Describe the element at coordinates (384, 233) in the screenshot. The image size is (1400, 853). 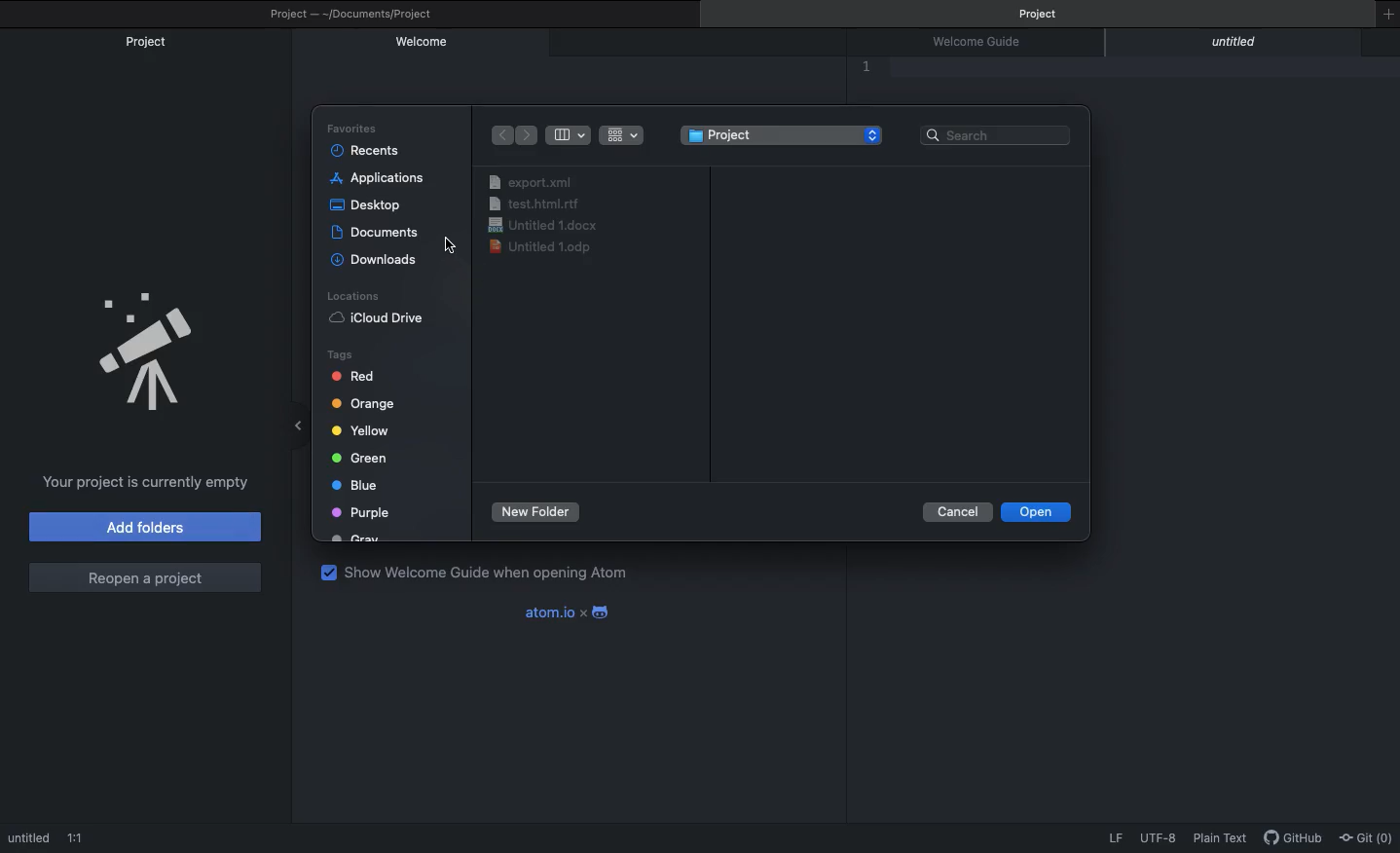
I see `Documents` at that location.